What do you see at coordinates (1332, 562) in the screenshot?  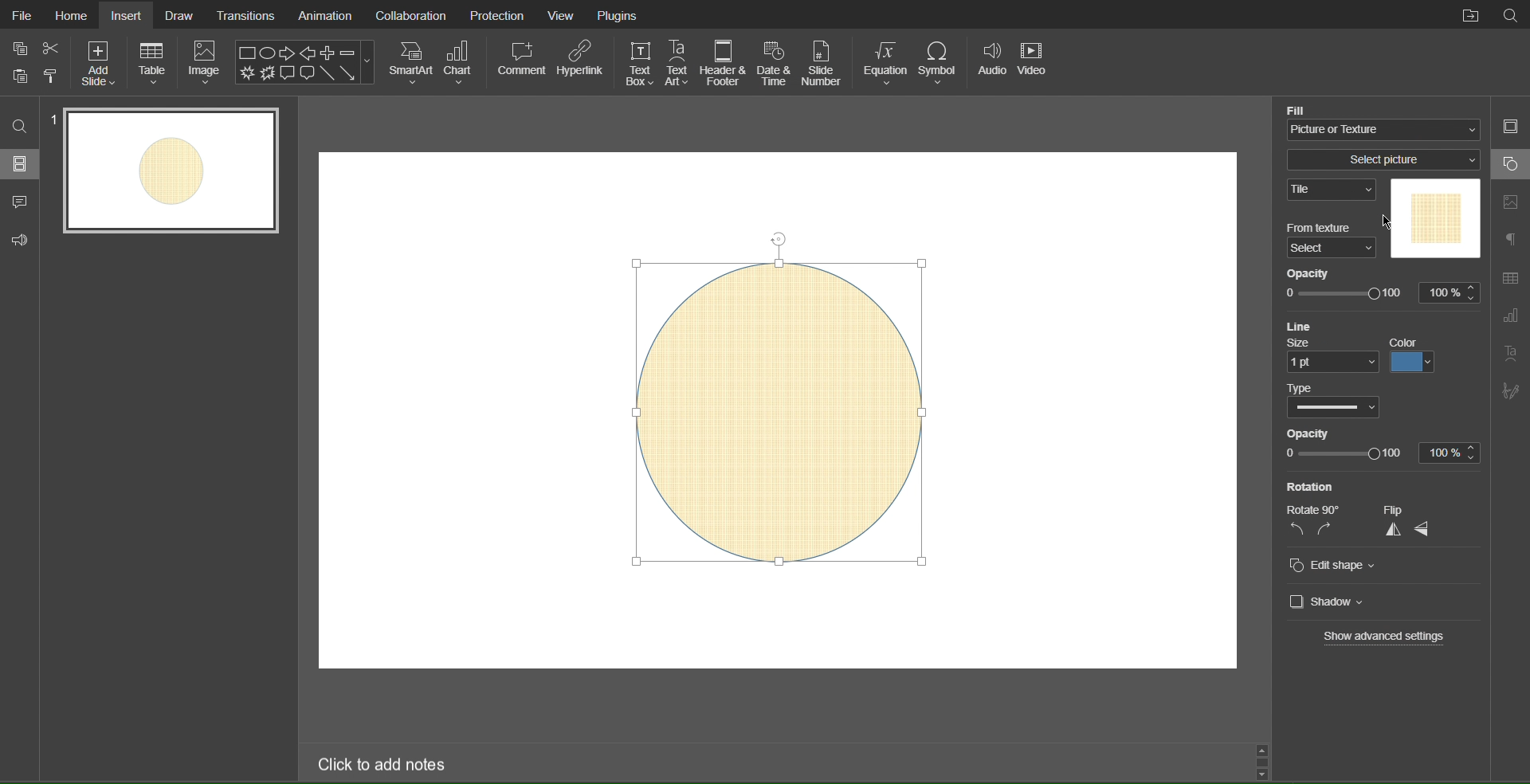 I see `Edit Shape` at bounding box center [1332, 562].